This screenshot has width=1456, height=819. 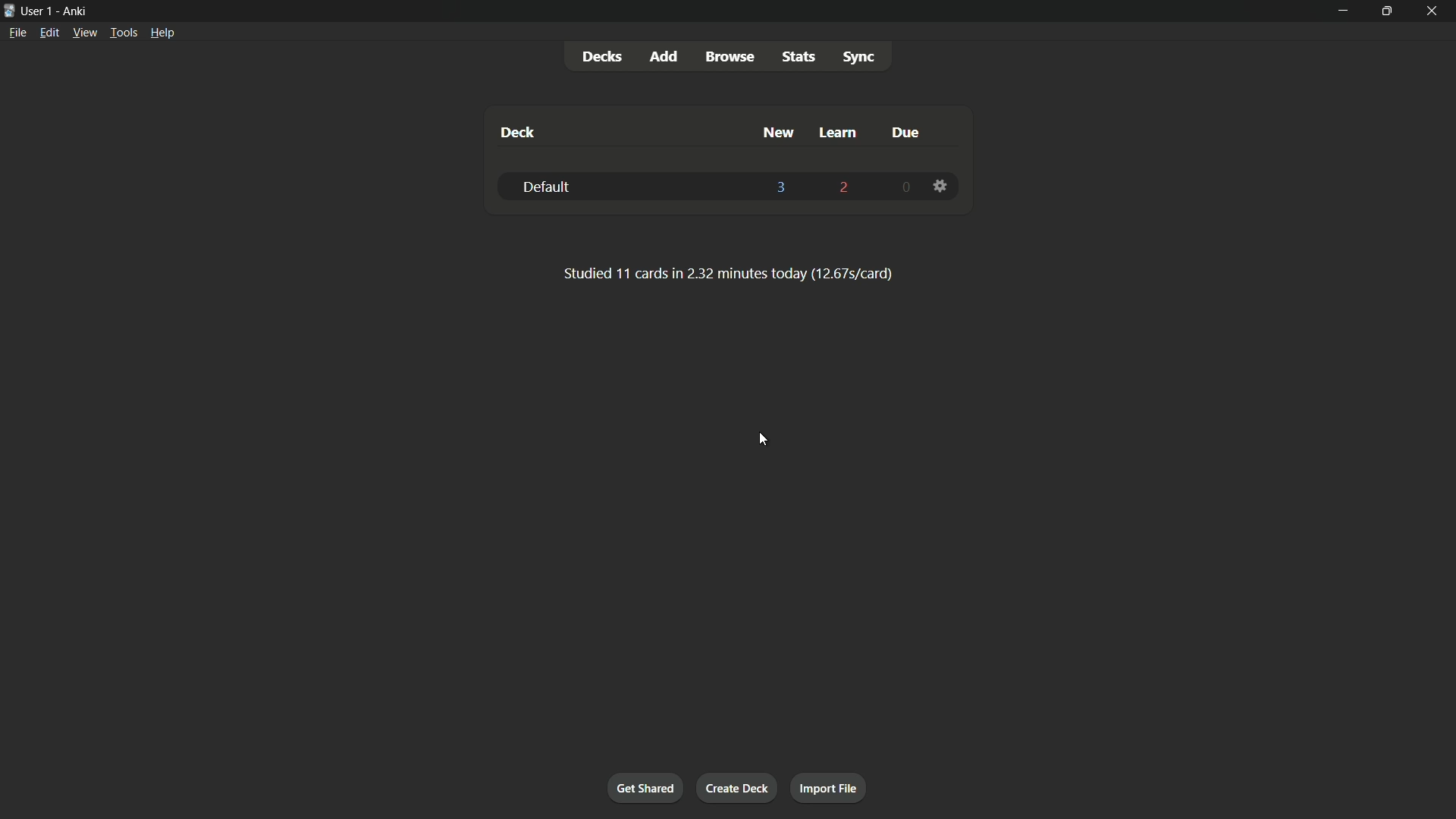 What do you see at coordinates (662, 56) in the screenshot?
I see `add` at bounding box center [662, 56].